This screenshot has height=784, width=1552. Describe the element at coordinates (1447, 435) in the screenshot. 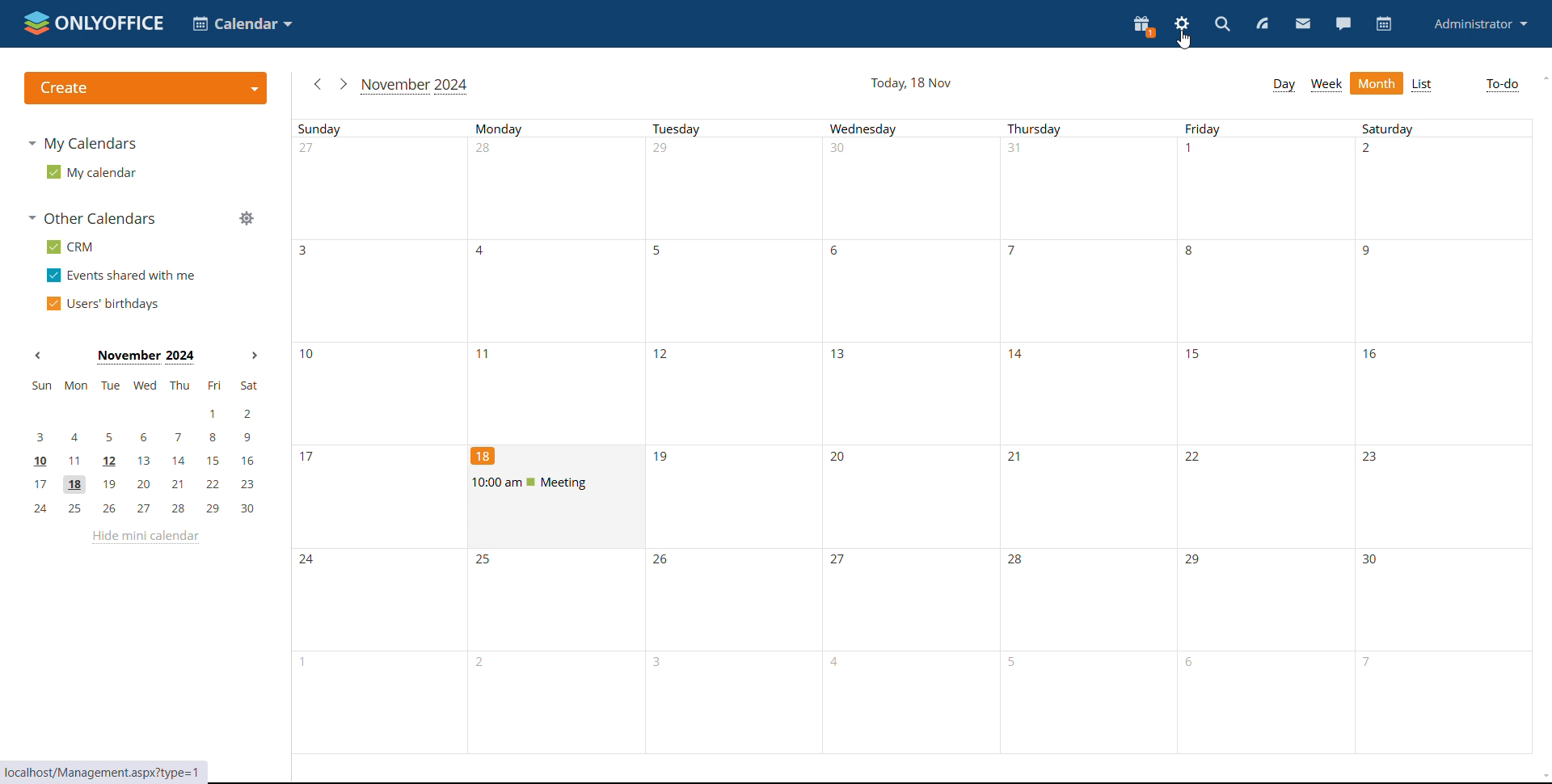

I see `saturday` at that location.